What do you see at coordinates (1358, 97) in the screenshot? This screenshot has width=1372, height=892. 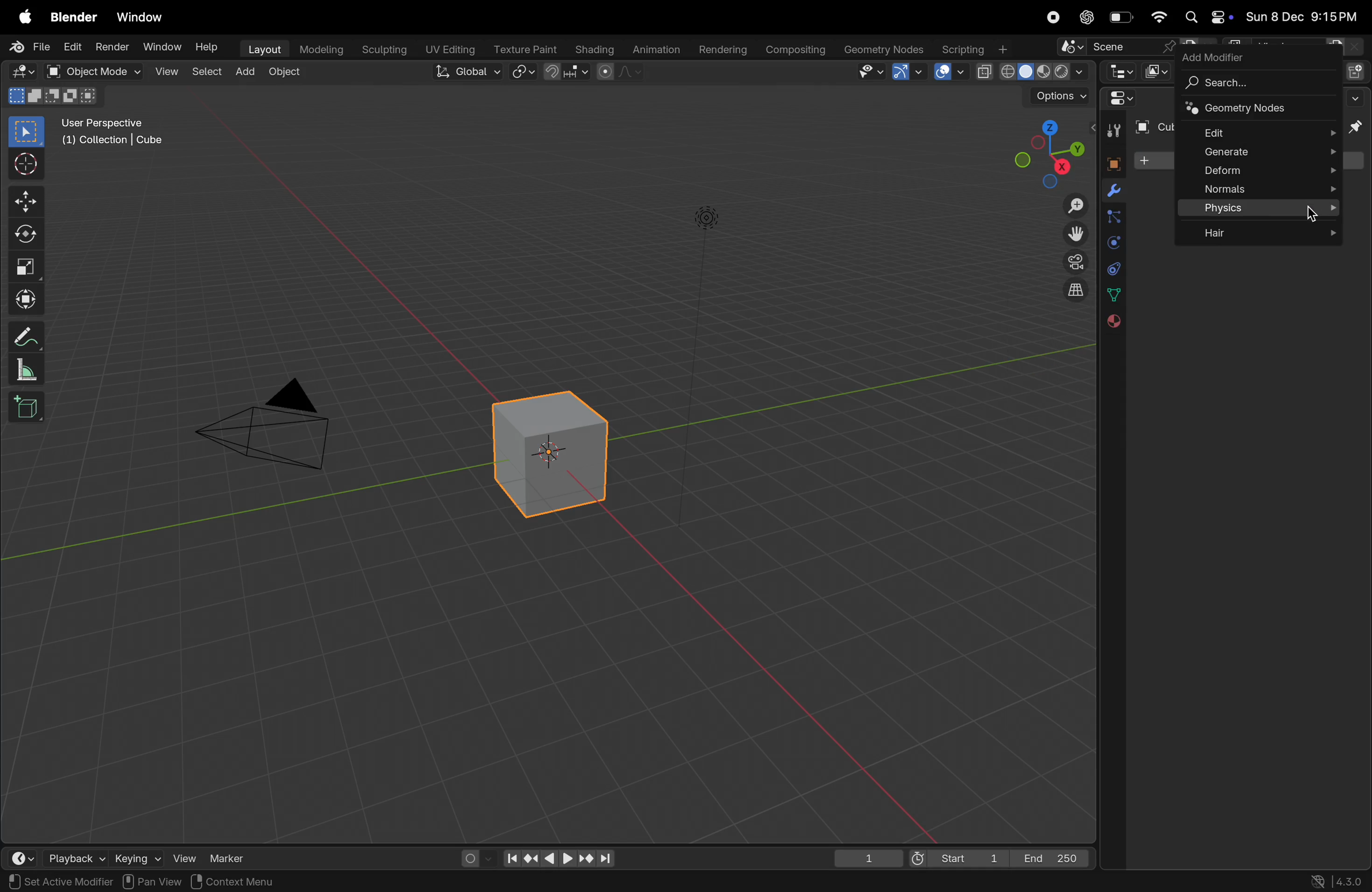 I see `drop down` at bounding box center [1358, 97].